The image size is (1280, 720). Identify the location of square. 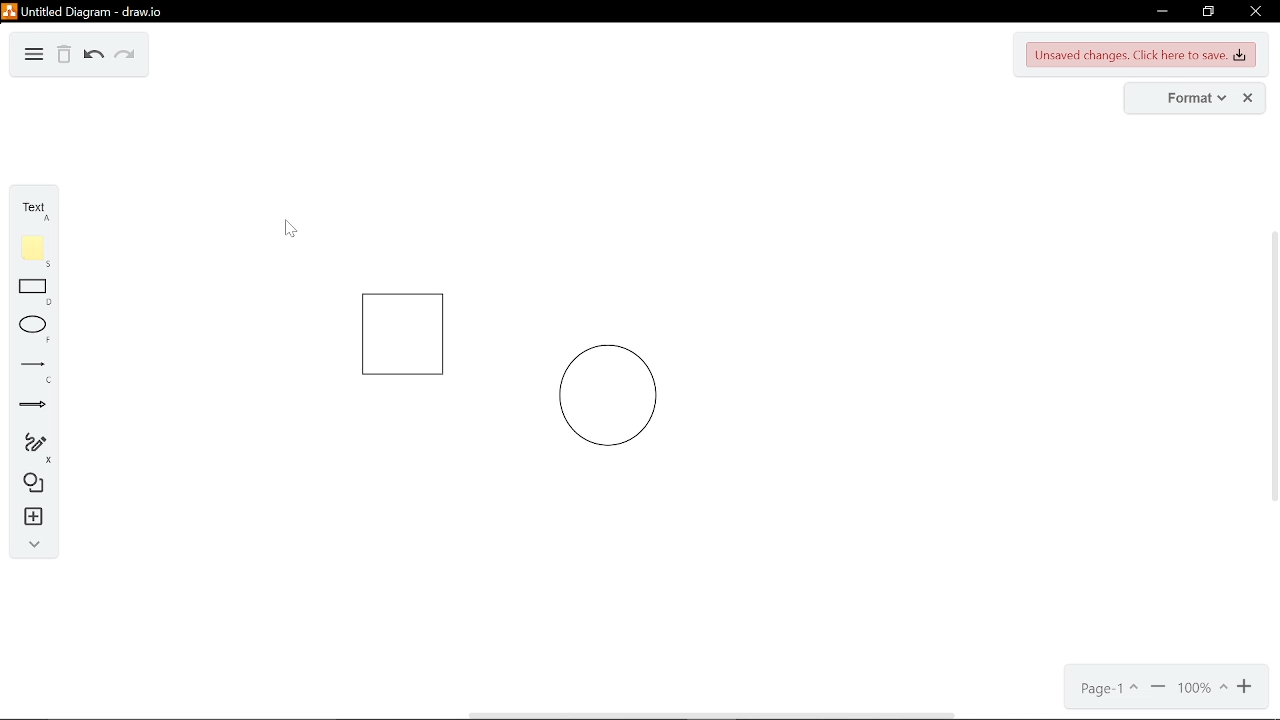
(402, 336).